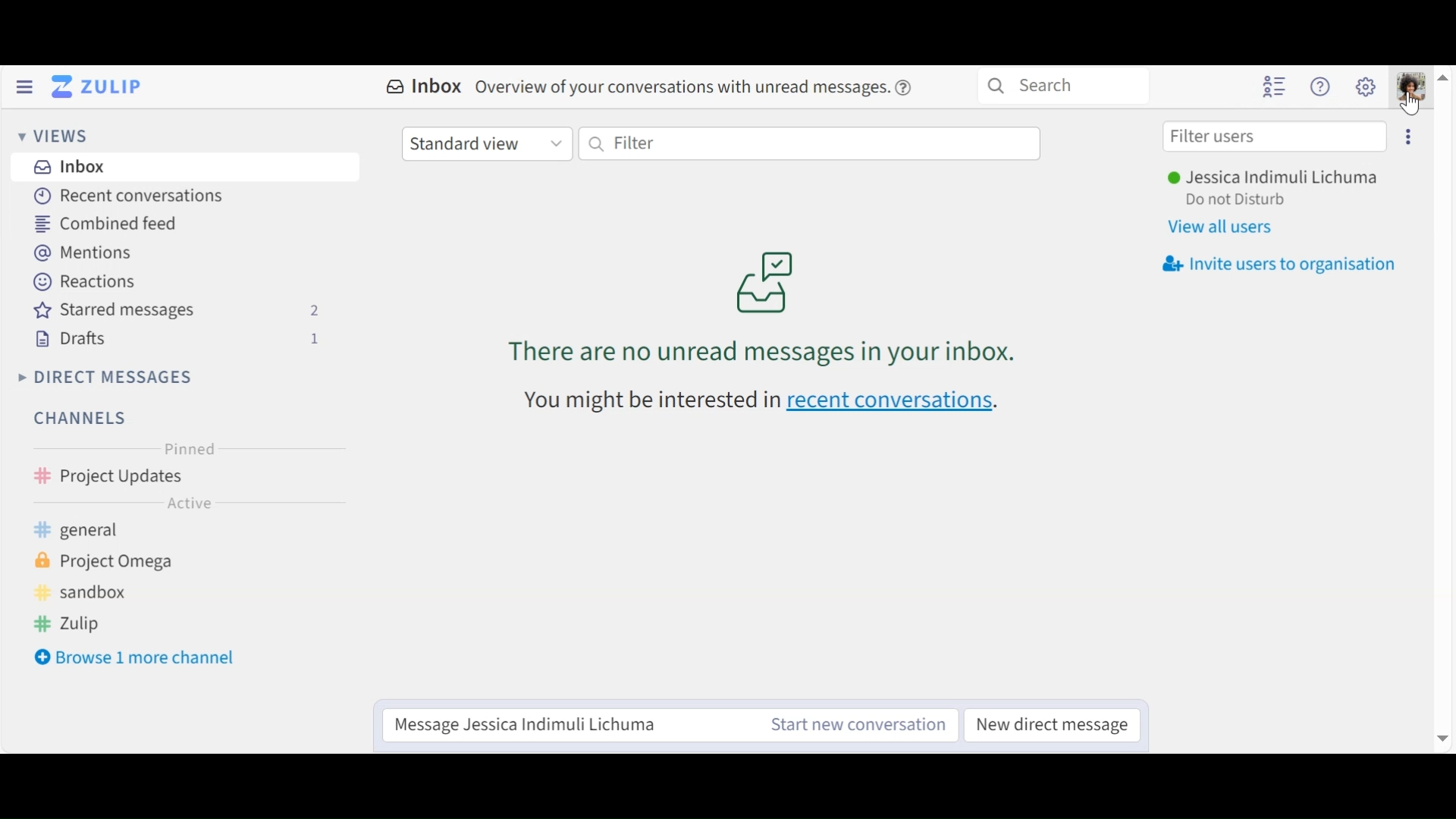 The image size is (1456, 819). What do you see at coordinates (106, 224) in the screenshot?
I see `Combined feed` at bounding box center [106, 224].